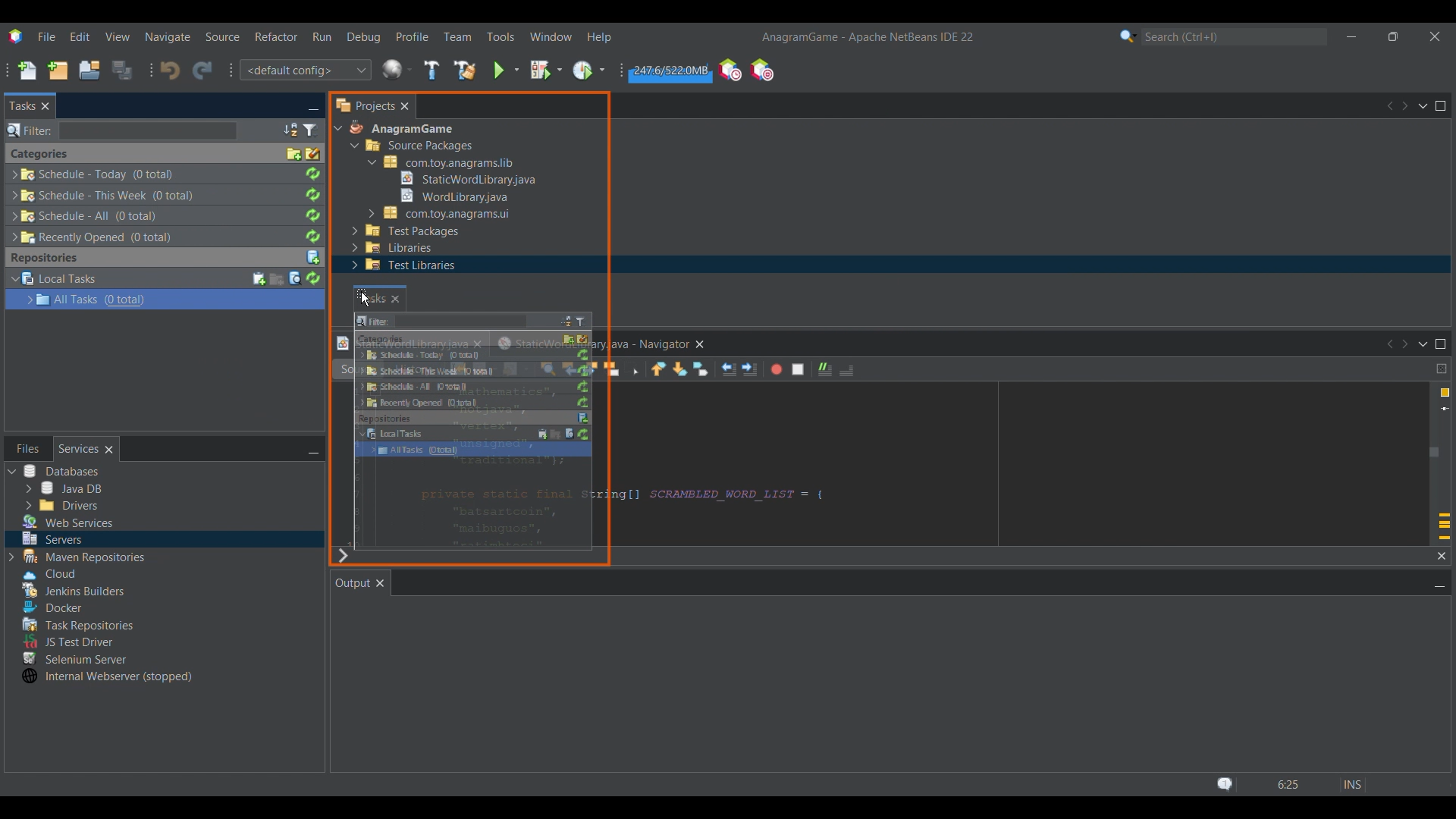  What do you see at coordinates (1445, 409) in the screenshot?
I see `Current line` at bounding box center [1445, 409].